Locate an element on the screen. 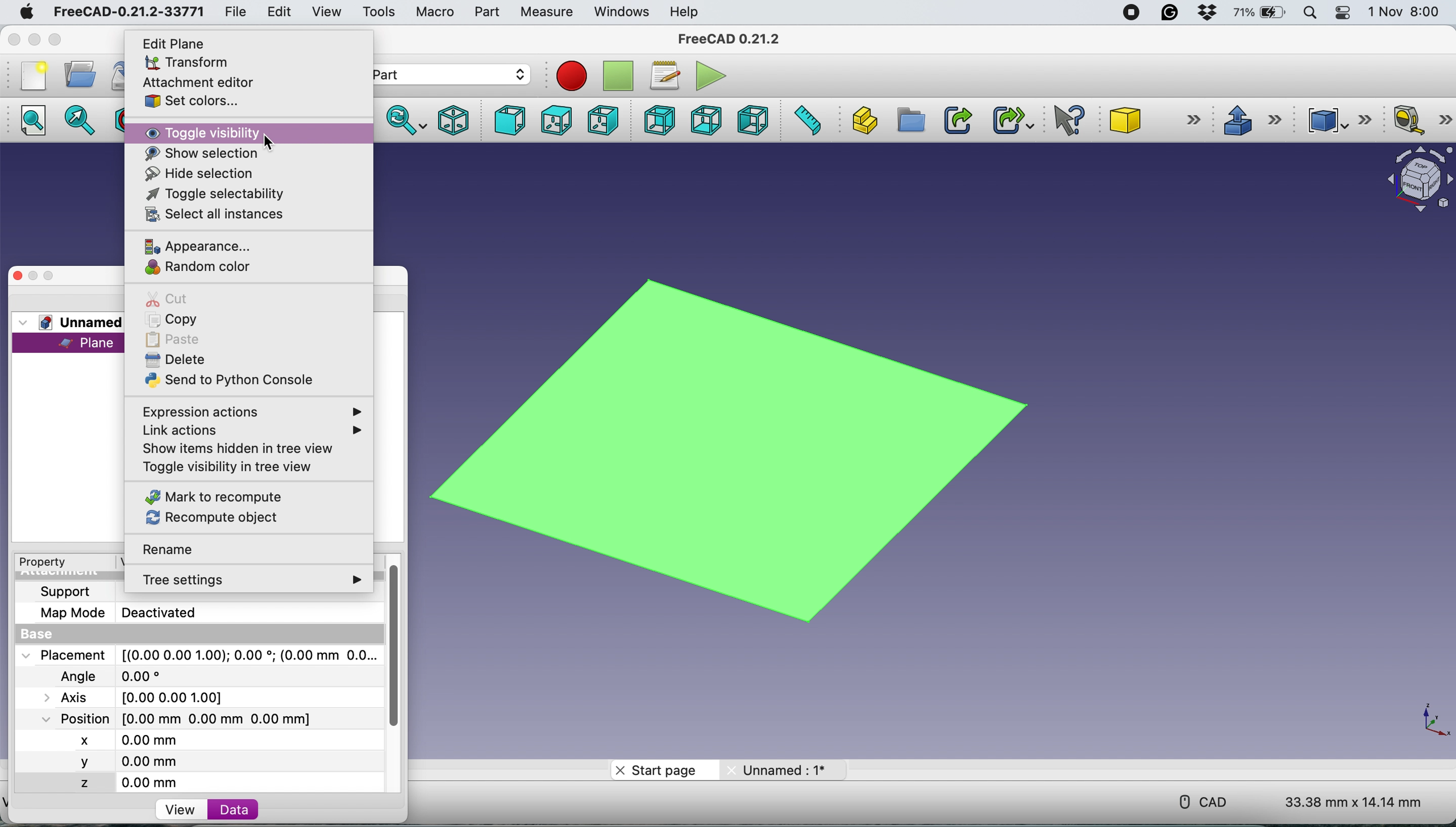  part is located at coordinates (487, 11).